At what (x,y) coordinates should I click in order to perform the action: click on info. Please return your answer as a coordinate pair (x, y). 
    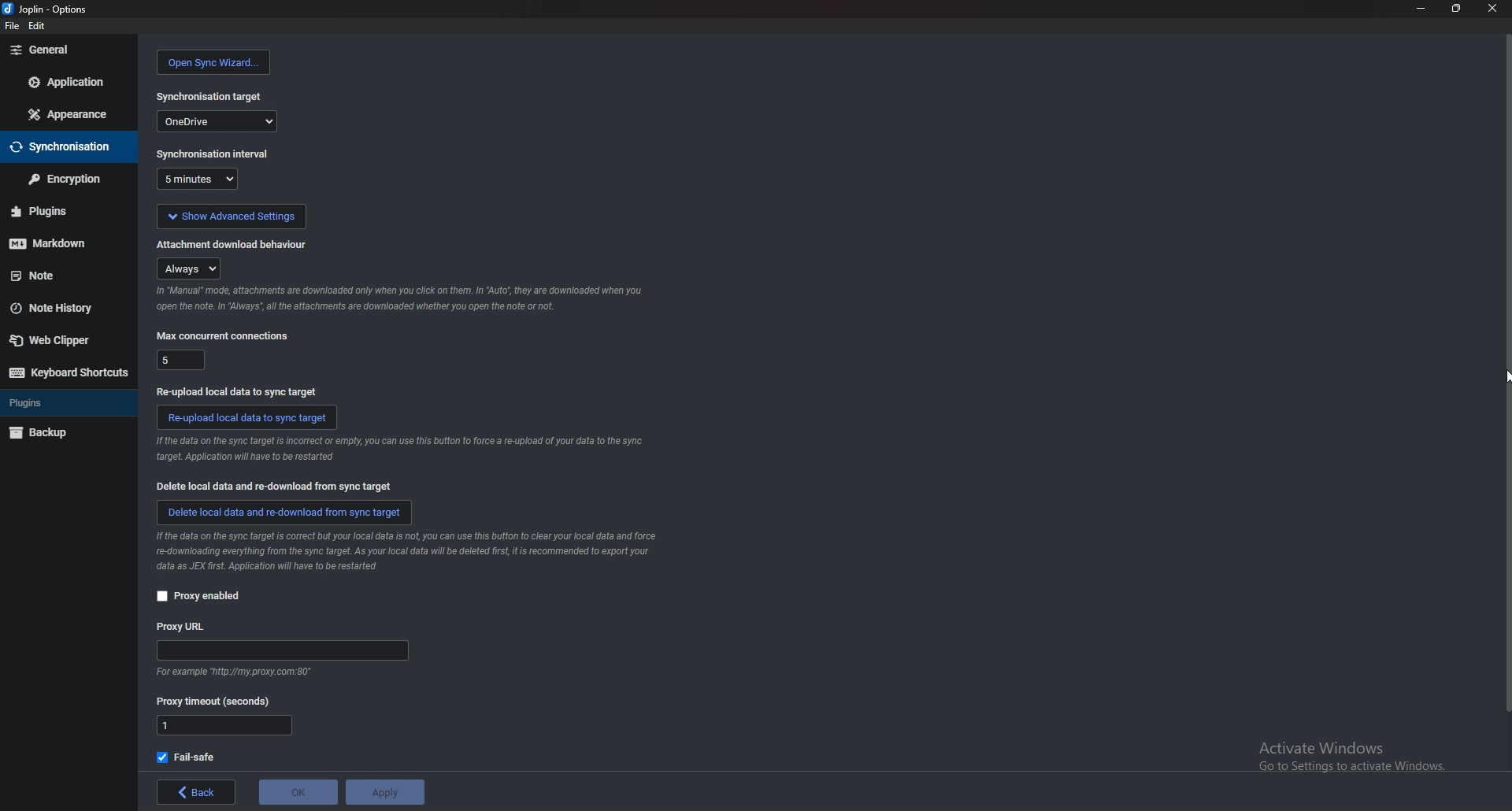
    Looking at the image, I should click on (395, 298).